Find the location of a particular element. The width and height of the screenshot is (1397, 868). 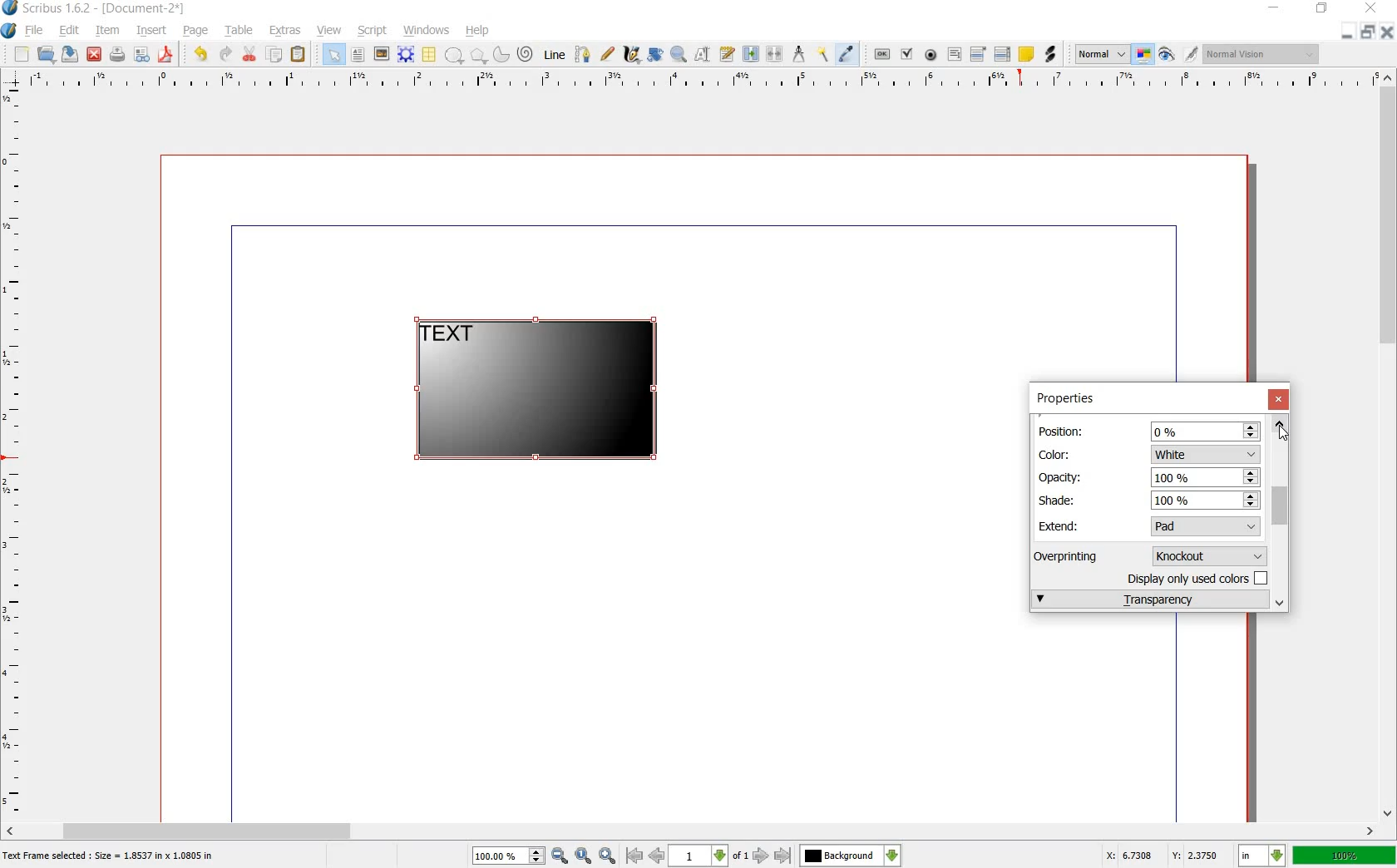

shade is located at coordinates (1064, 500).